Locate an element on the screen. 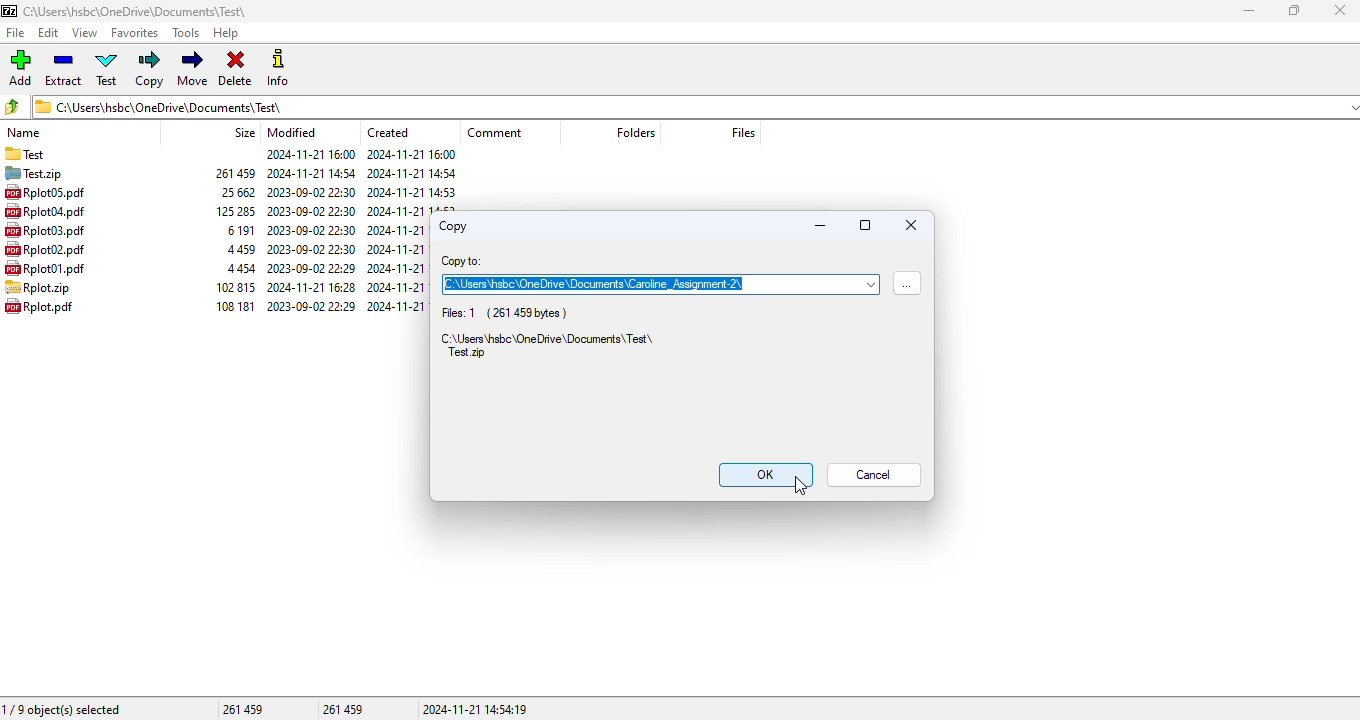  size is located at coordinates (234, 192).